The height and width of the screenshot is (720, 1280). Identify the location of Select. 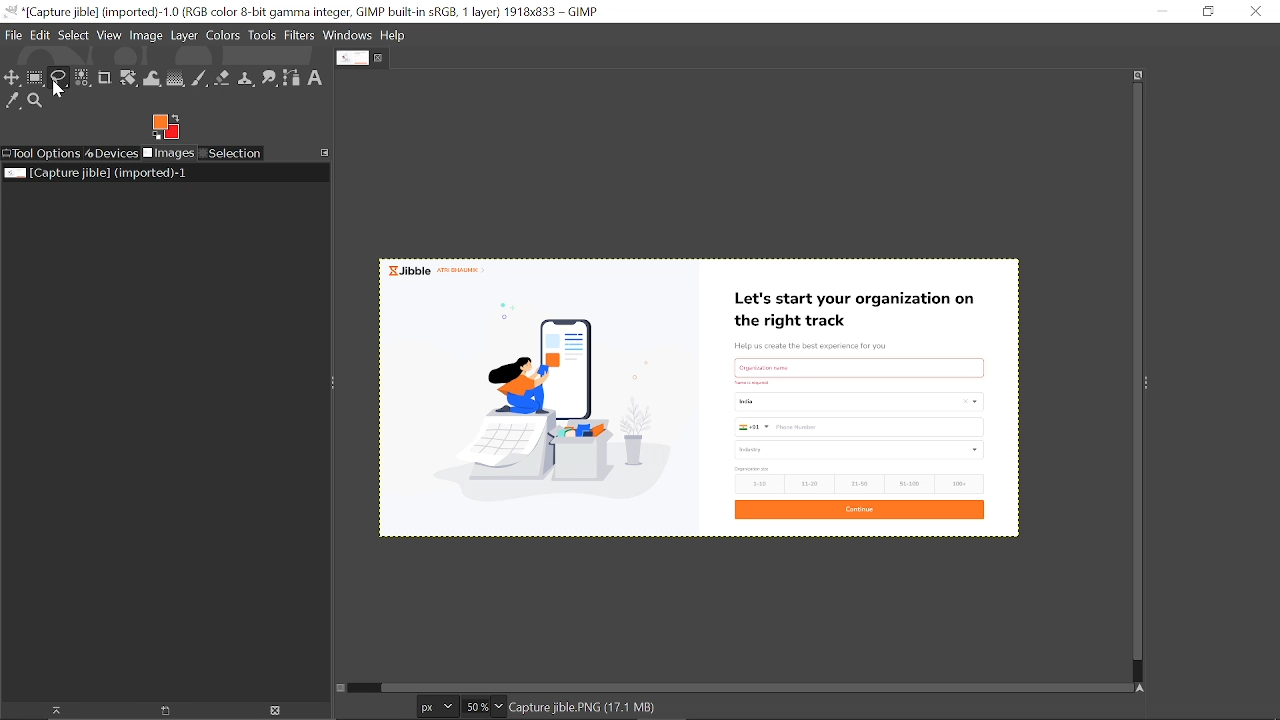
(74, 35).